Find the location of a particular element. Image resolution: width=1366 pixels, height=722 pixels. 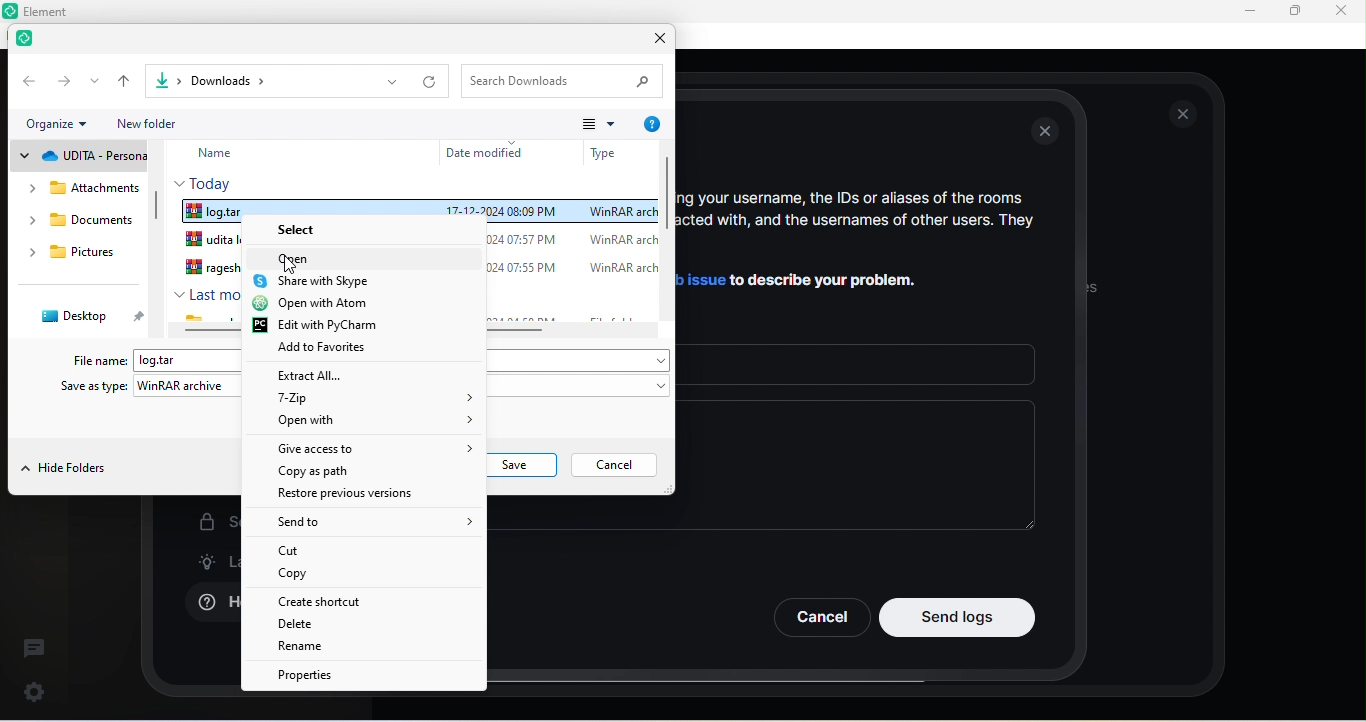

extract all is located at coordinates (342, 375).